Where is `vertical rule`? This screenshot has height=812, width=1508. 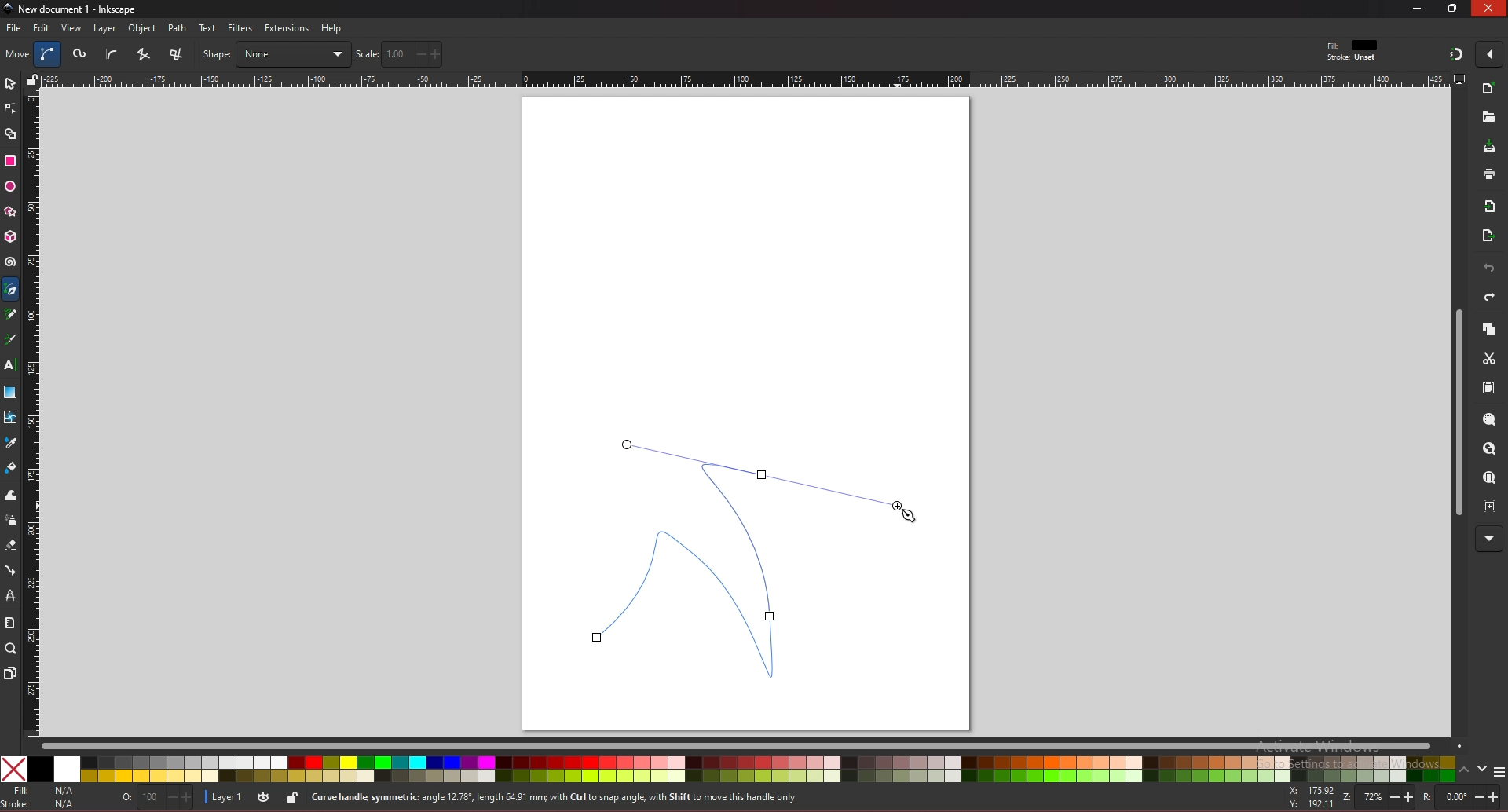 vertical rule is located at coordinates (31, 415).